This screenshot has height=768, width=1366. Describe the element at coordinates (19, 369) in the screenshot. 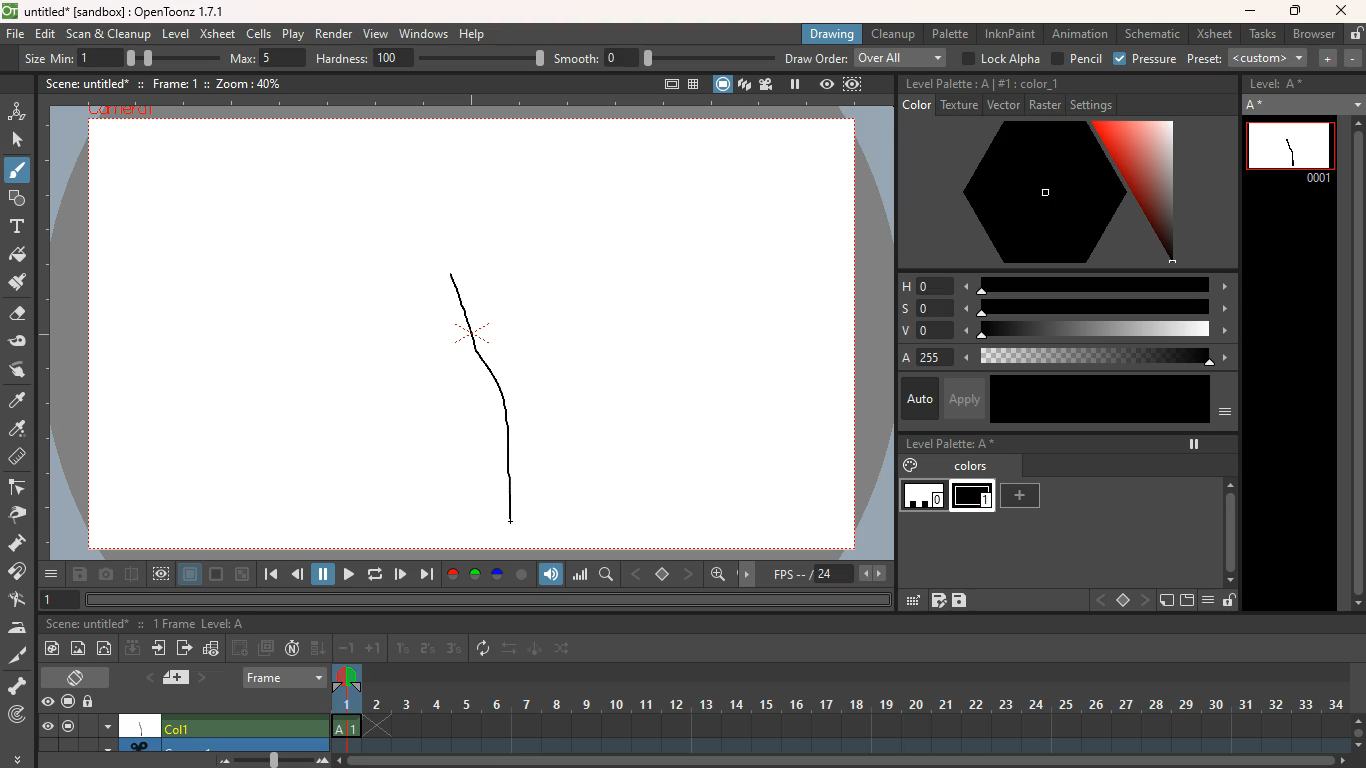

I see `swap` at that location.